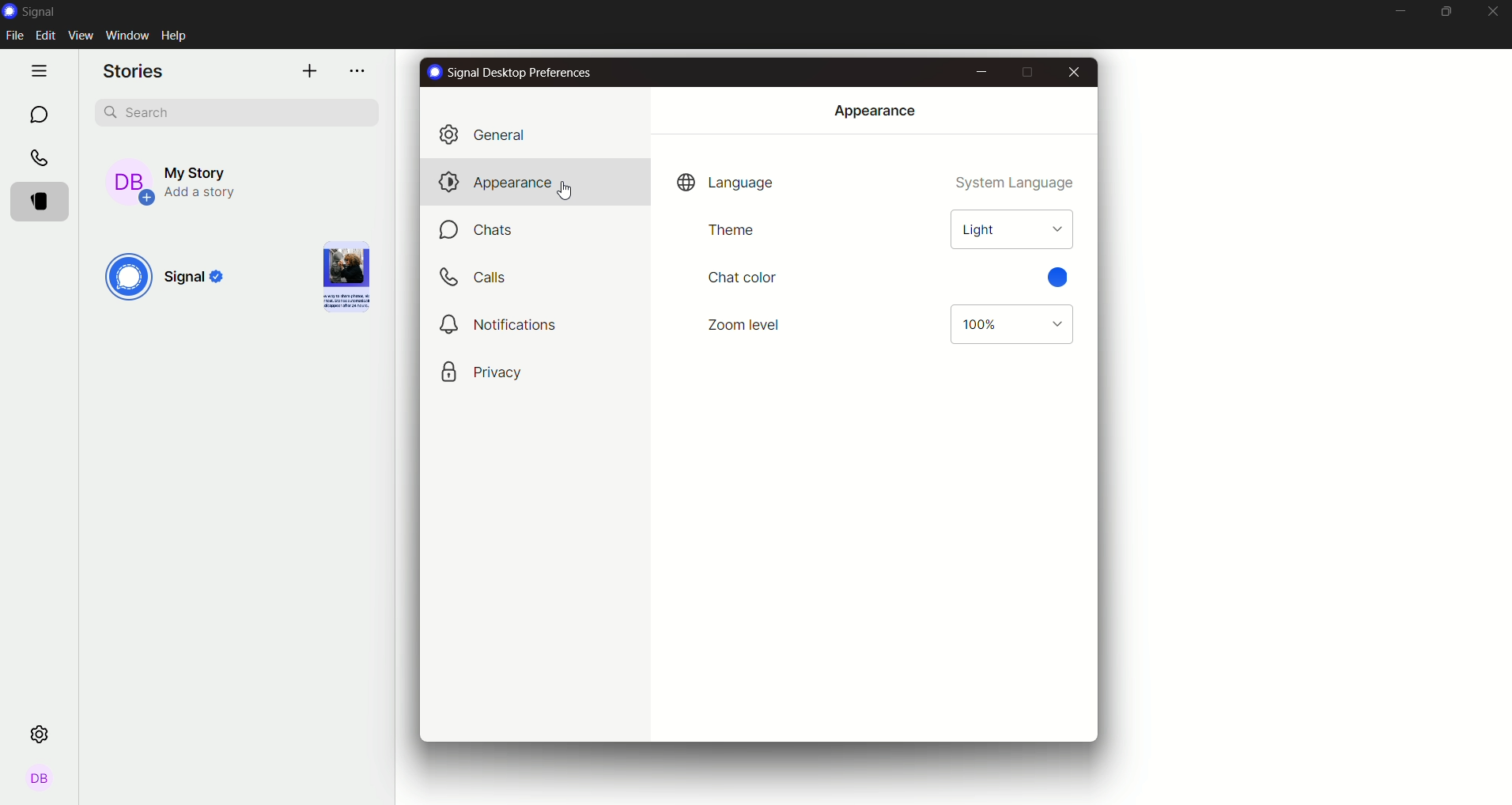 The image size is (1512, 805). What do you see at coordinates (136, 72) in the screenshot?
I see `stories` at bounding box center [136, 72].